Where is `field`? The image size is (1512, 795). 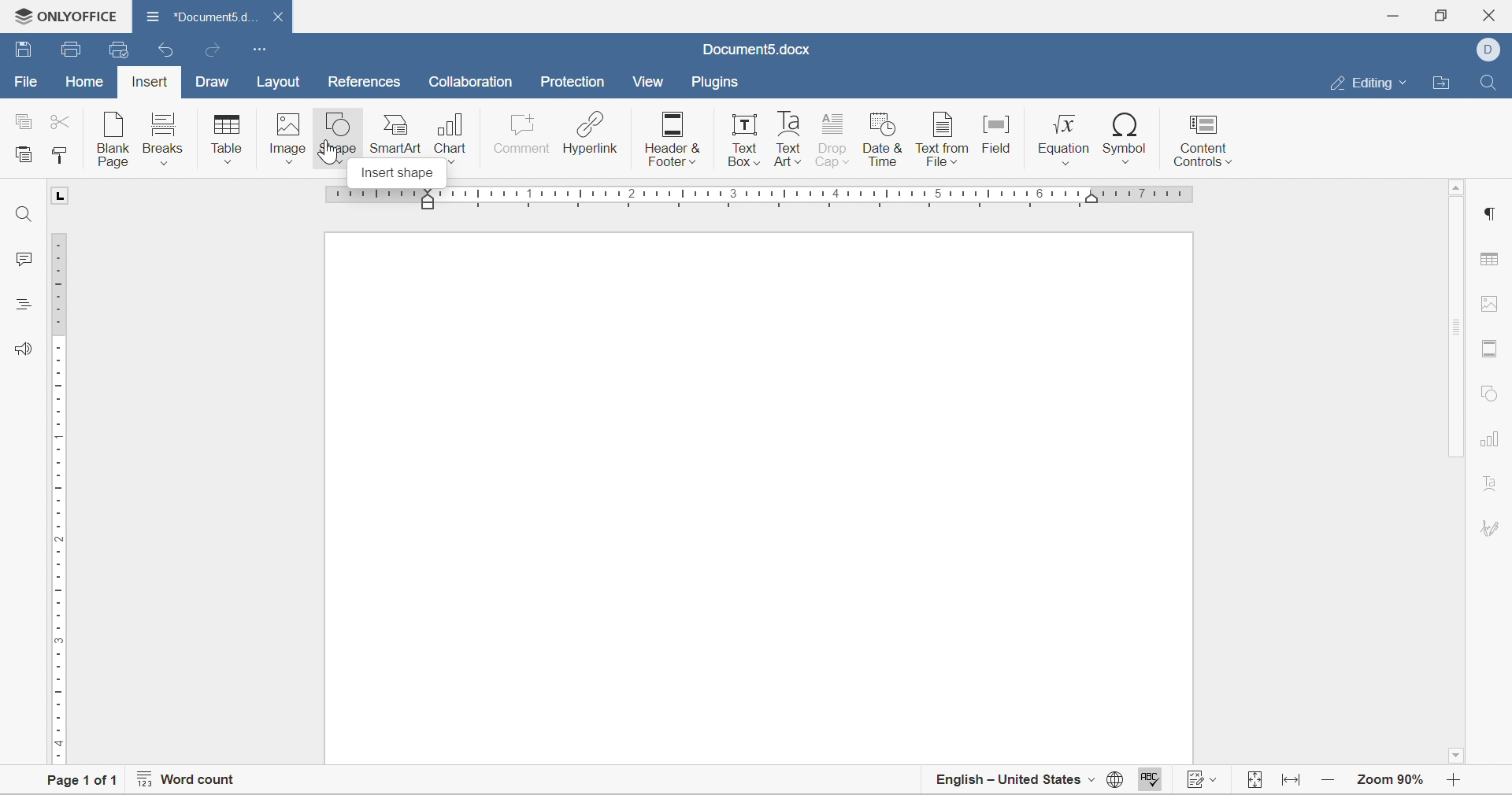
field is located at coordinates (1001, 134).